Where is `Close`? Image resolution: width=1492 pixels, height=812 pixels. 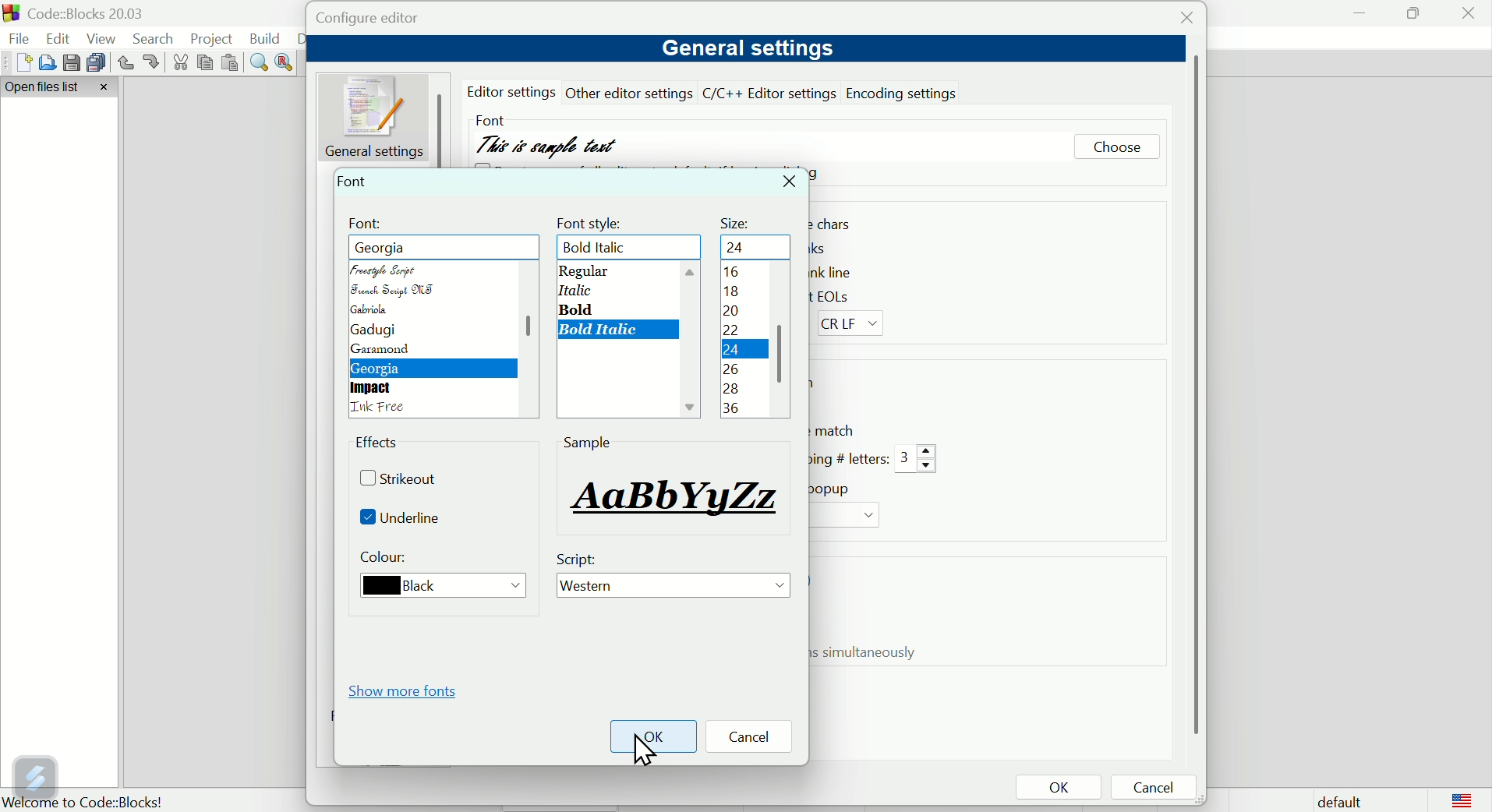 Close is located at coordinates (791, 182).